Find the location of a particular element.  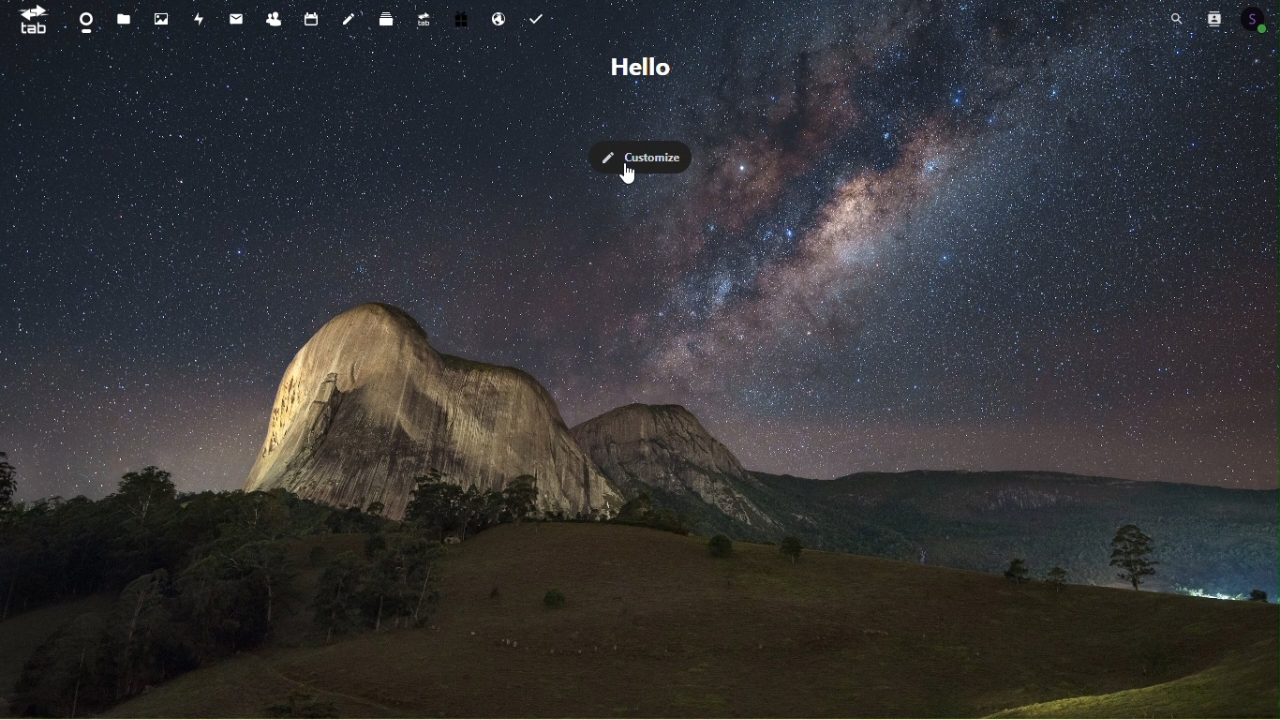

deck is located at coordinates (386, 17).